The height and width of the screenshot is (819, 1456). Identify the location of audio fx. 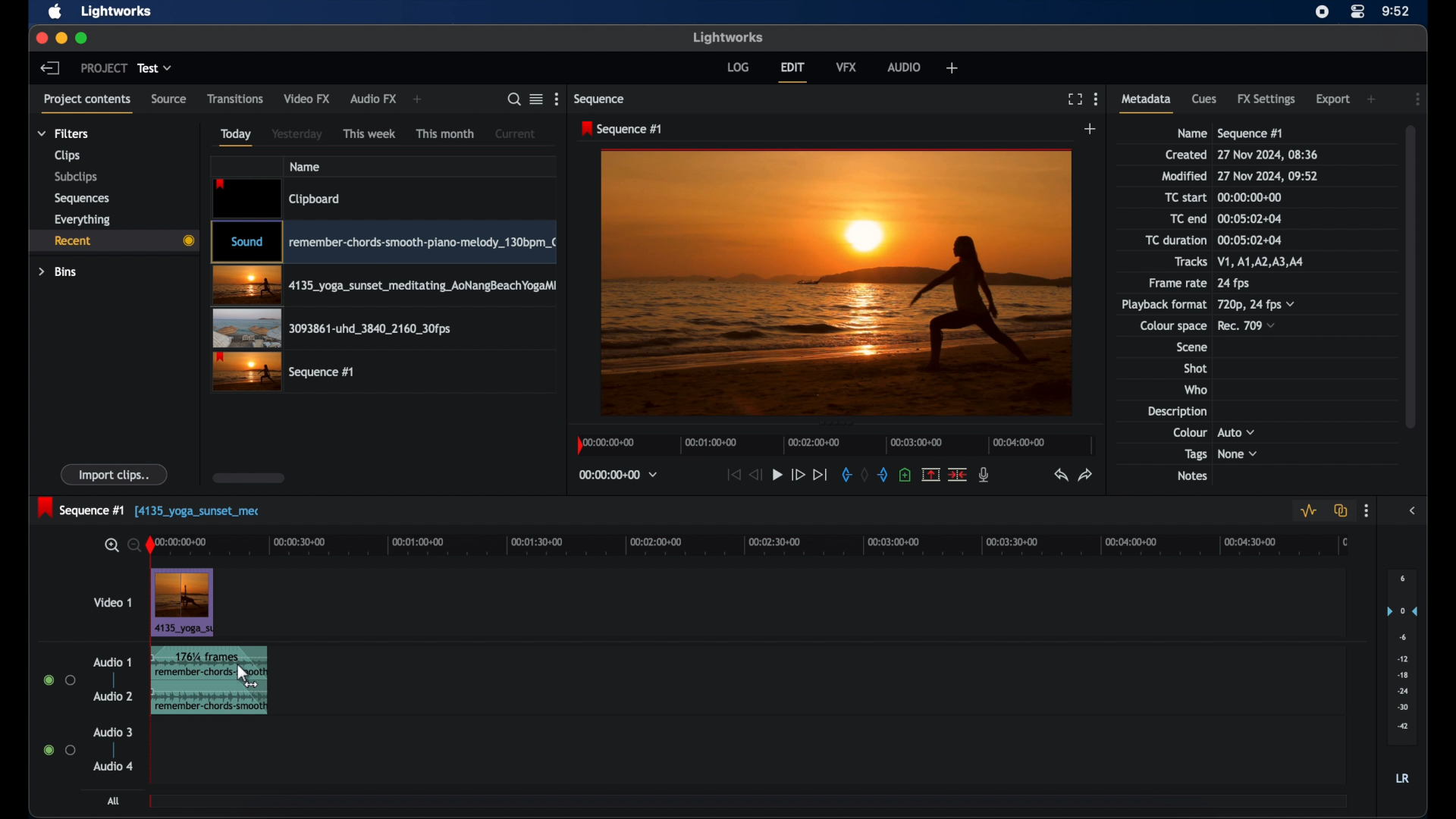
(374, 99).